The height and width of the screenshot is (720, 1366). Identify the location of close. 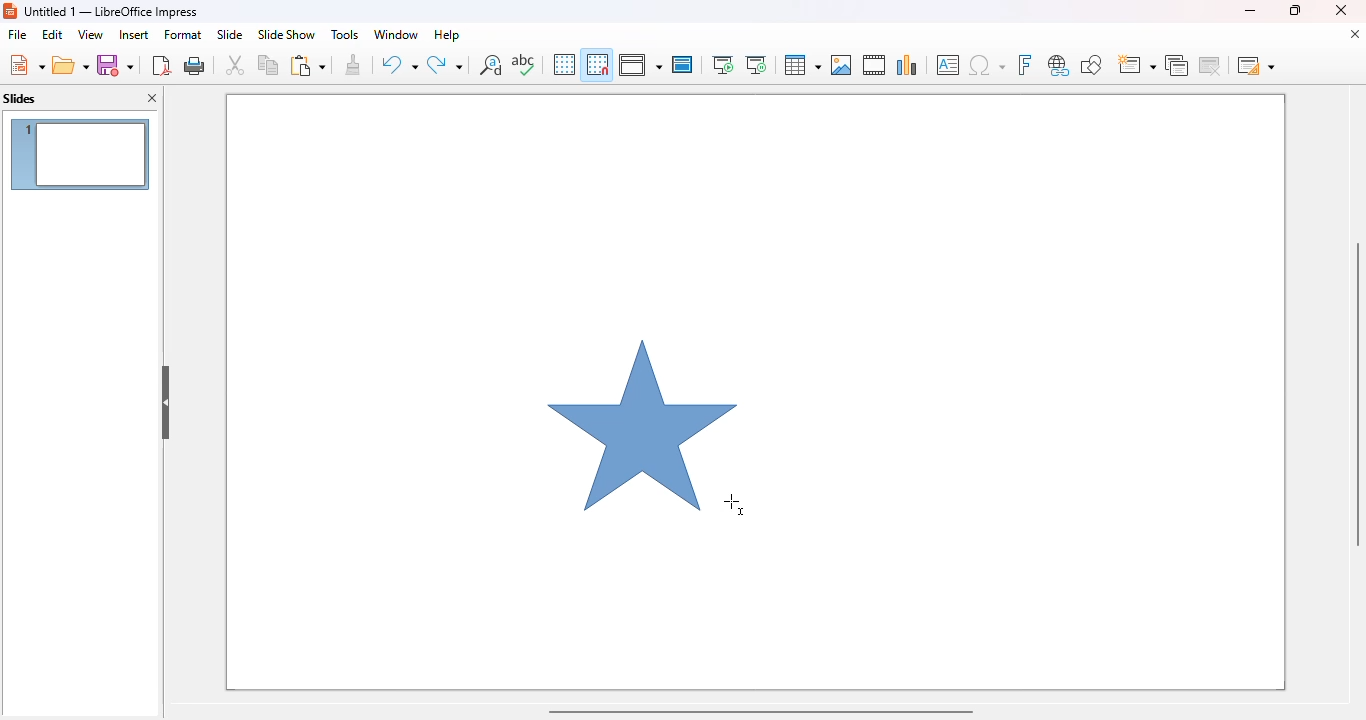
(1341, 10).